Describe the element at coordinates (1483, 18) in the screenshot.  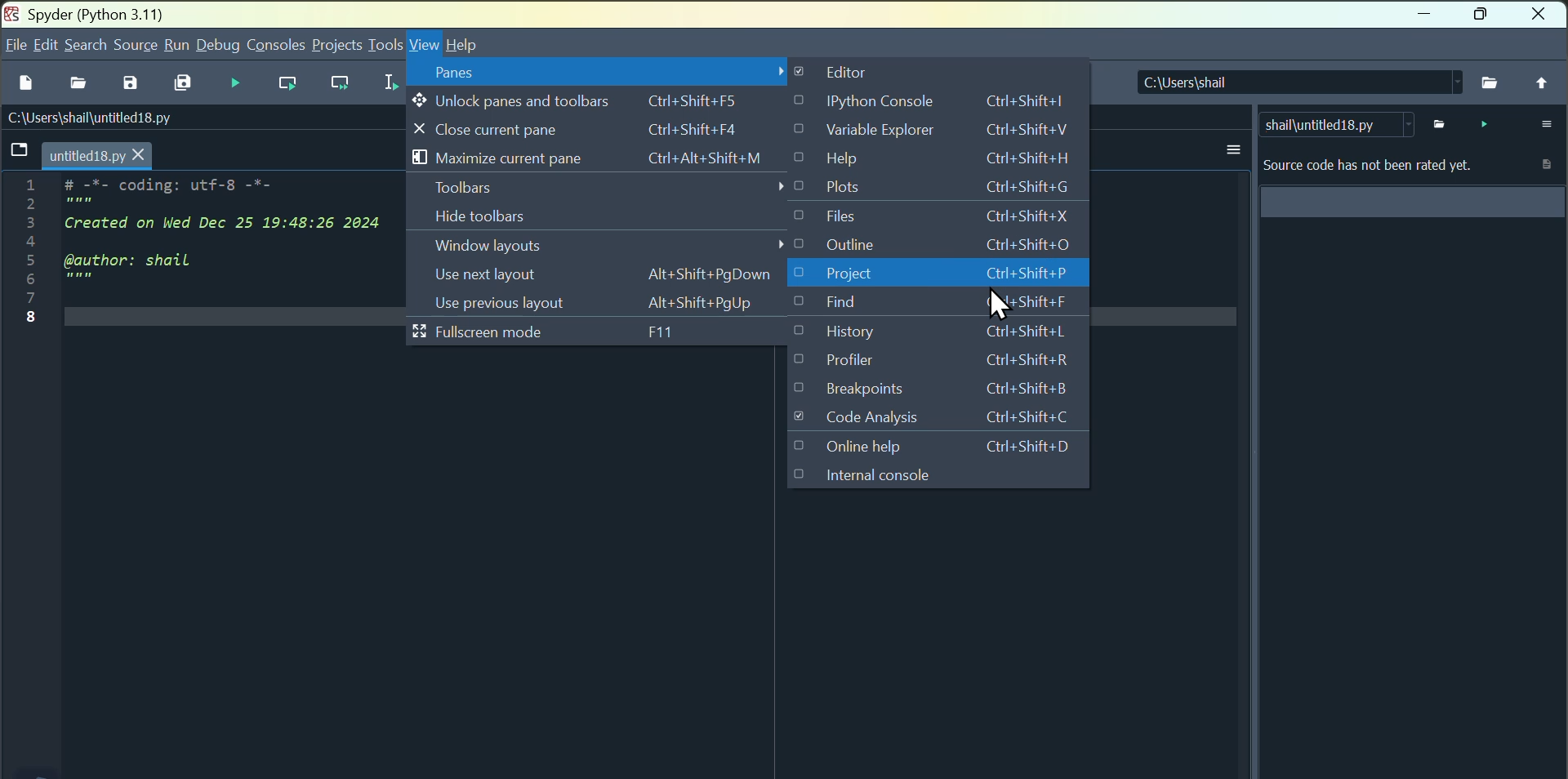
I see `maximise` at that location.